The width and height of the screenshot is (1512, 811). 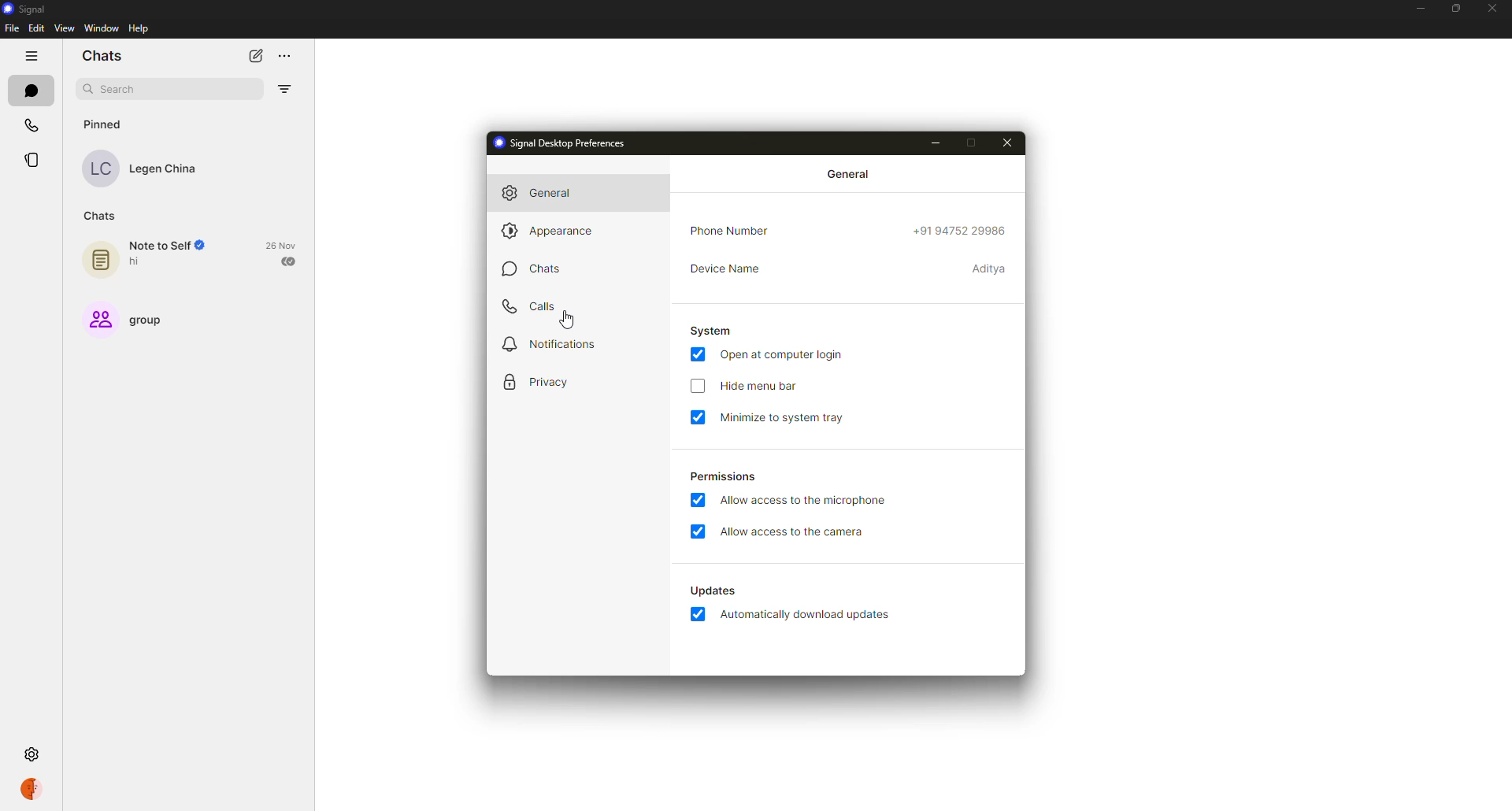 I want to click on general, so click(x=846, y=175).